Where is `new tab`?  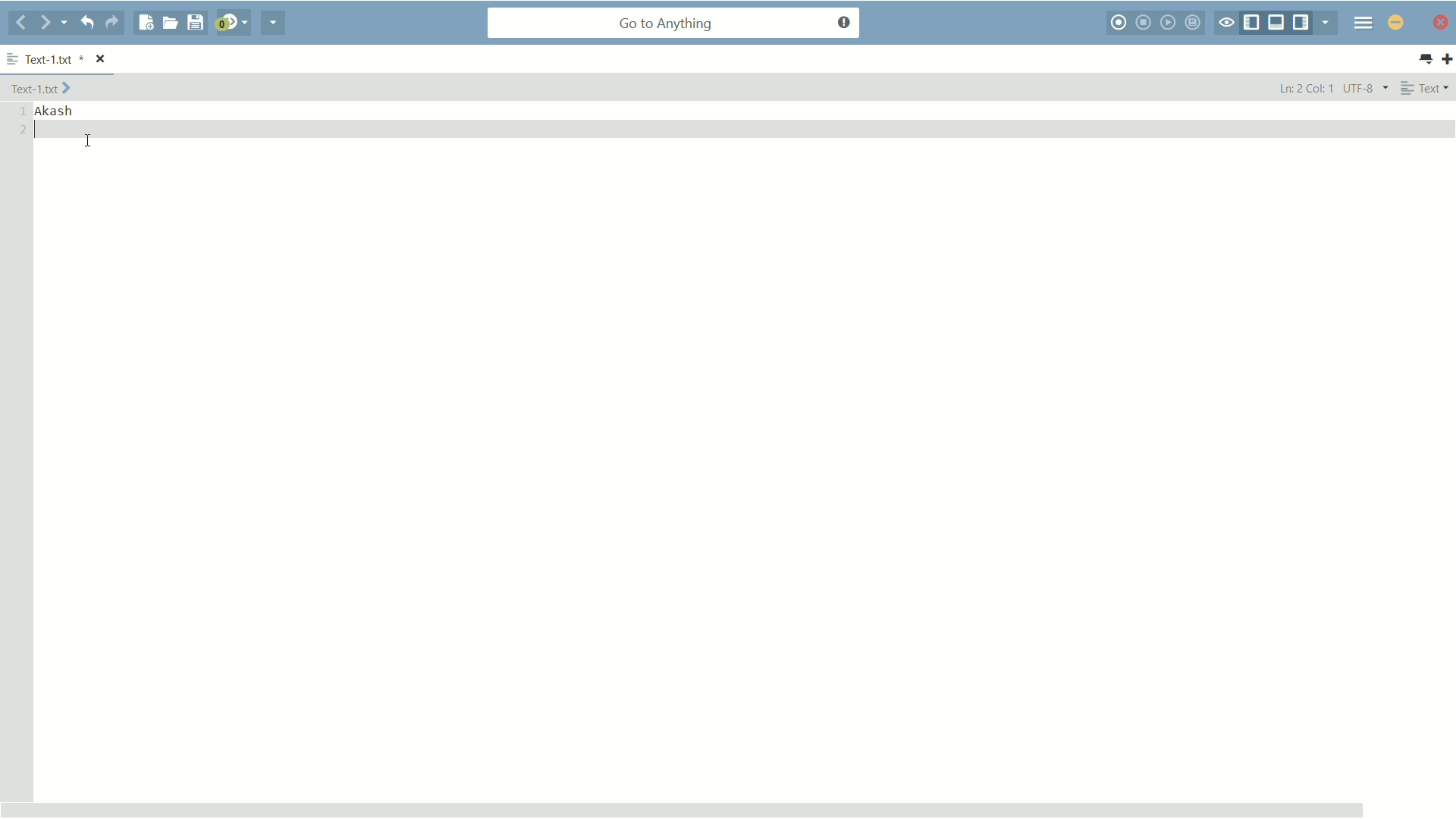 new tab is located at coordinates (1447, 59).